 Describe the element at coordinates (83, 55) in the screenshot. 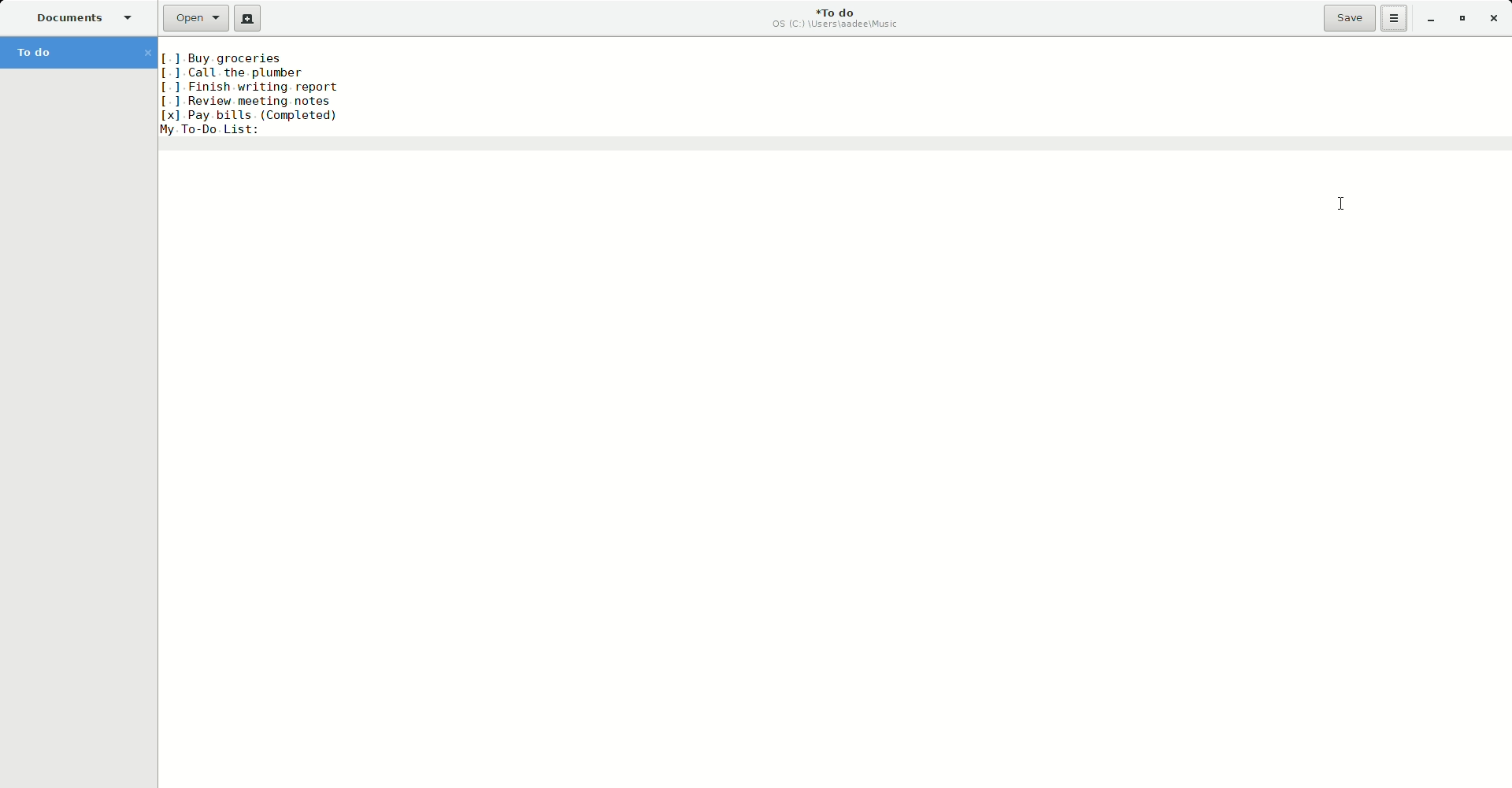

I see `To do` at that location.